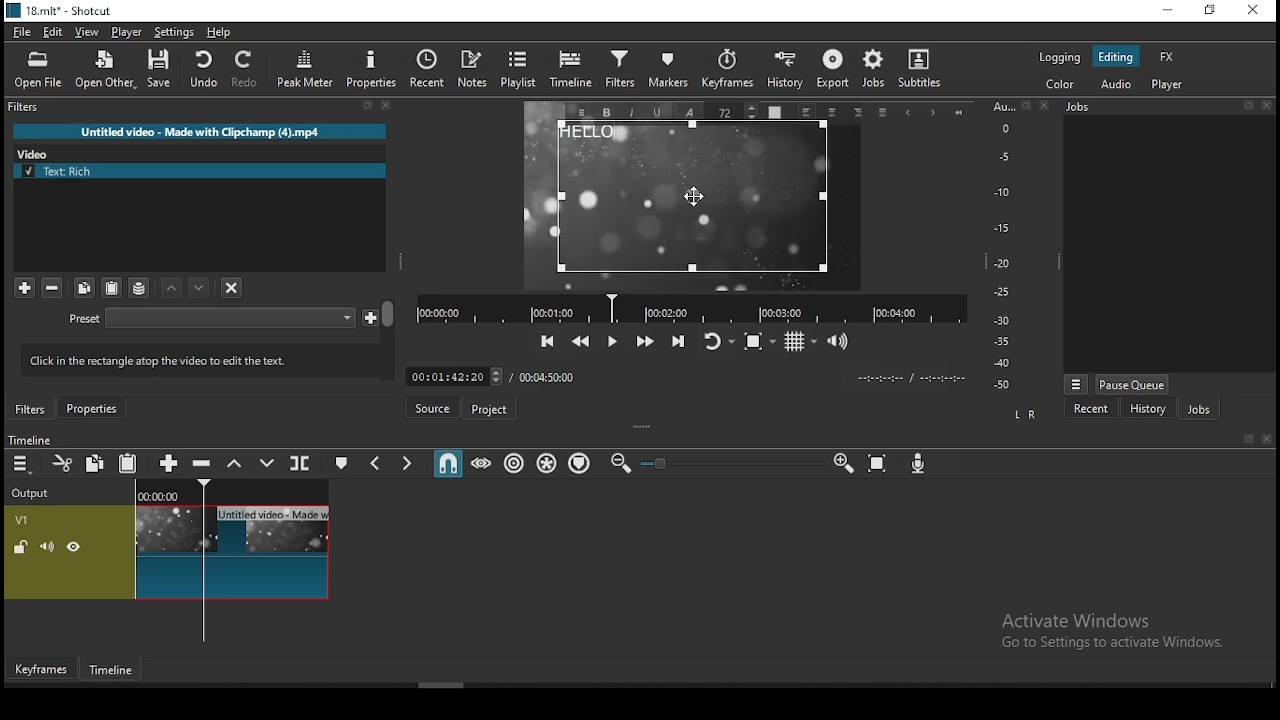  Describe the element at coordinates (581, 112) in the screenshot. I see `Menu` at that location.